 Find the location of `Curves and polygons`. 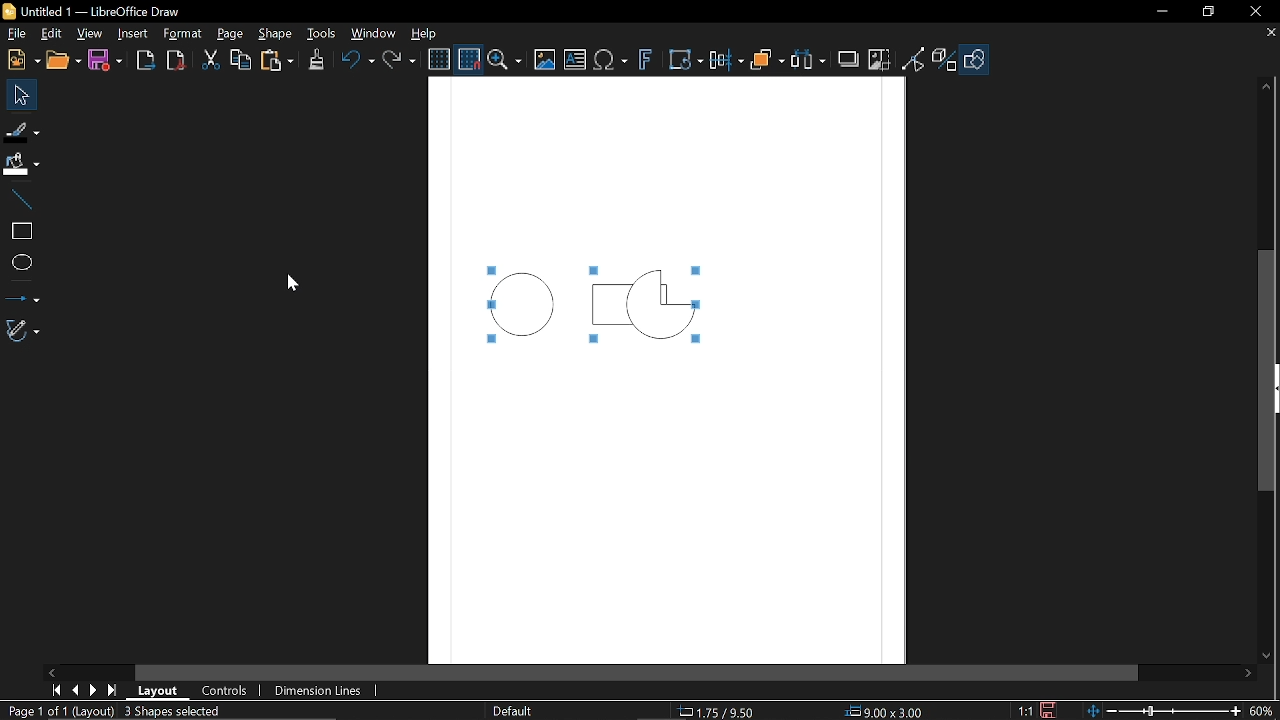

Curves and polygons is located at coordinates (22, 331).